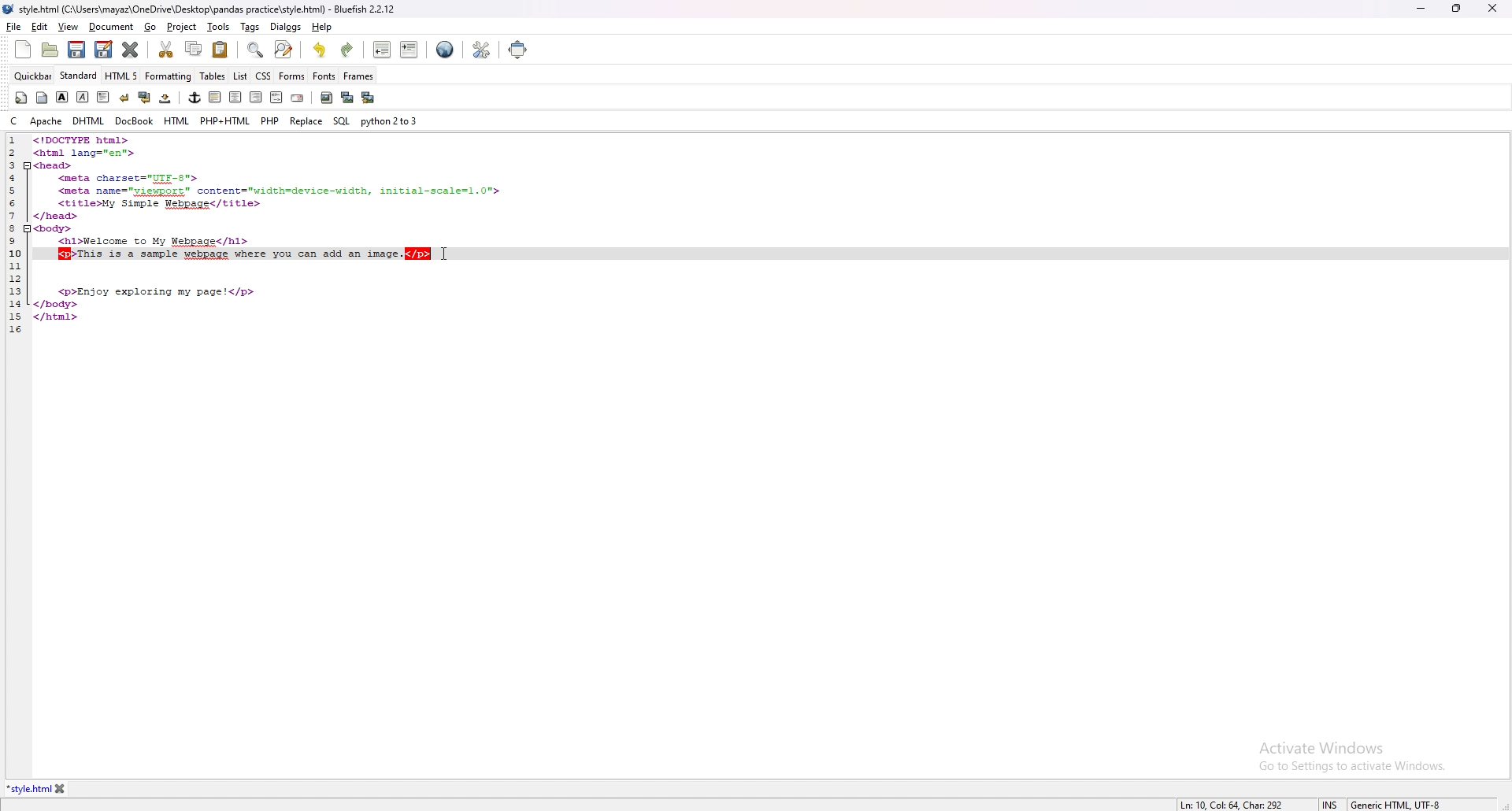  Describe the element at coordinates (46, 121) in the screenshot. I see `apache` at that location.